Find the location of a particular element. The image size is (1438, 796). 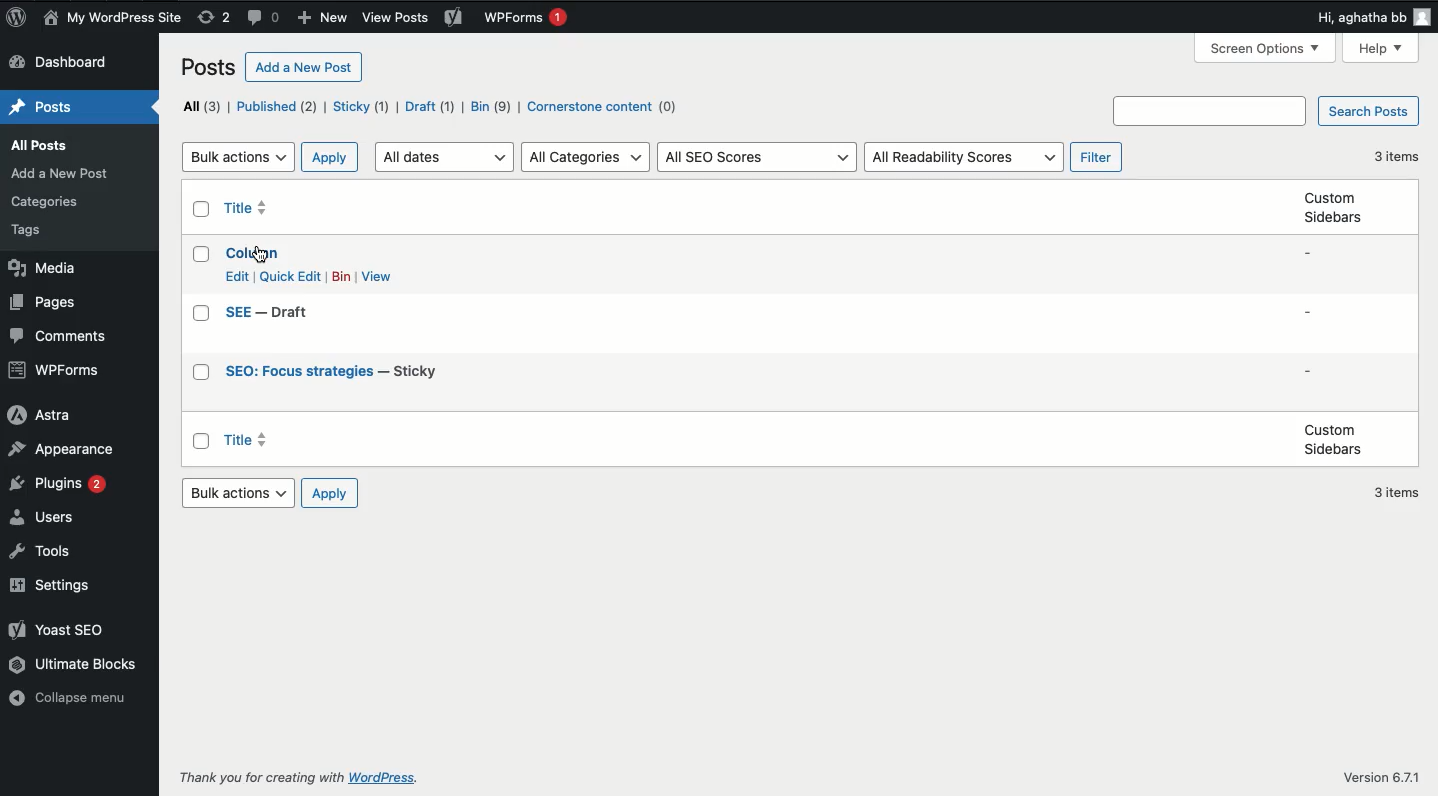

Revisions is located at coordinates (215, 17).